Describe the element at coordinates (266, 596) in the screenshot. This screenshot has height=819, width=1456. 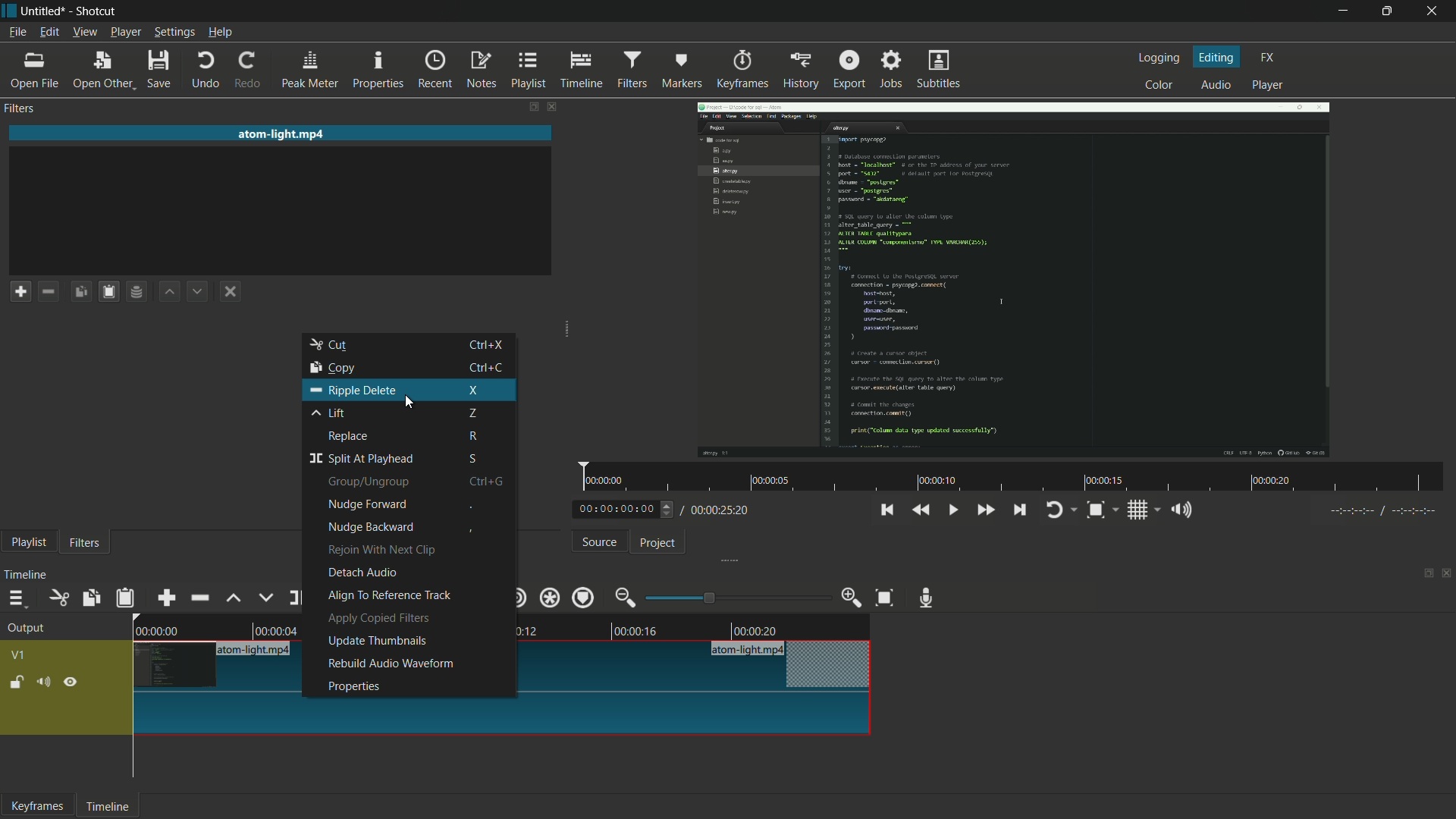
I see `overwrite` at that location.